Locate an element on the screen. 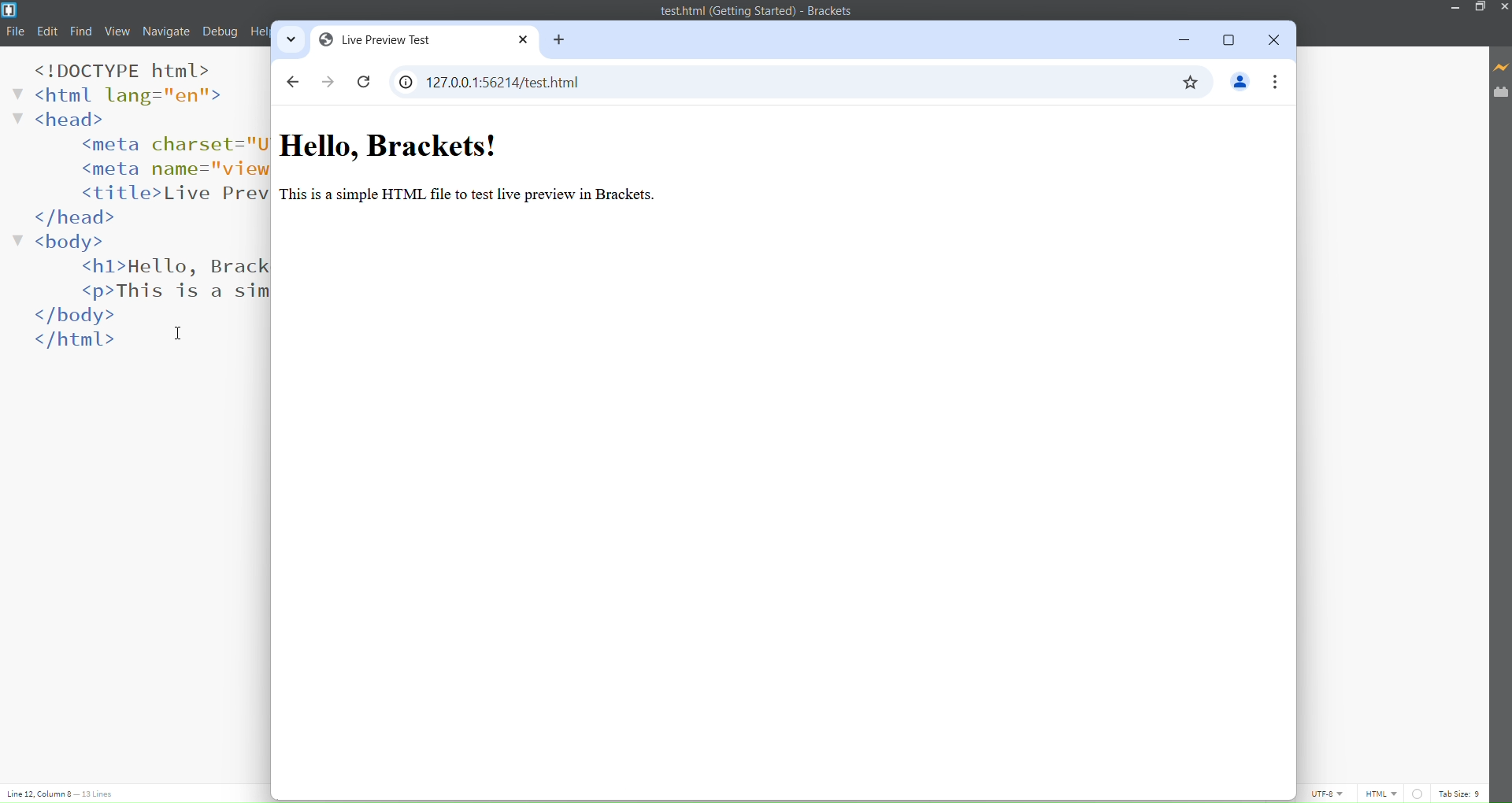 This screenshot has height=803, width=1512. IP Address is located at coordinates (506, 82).